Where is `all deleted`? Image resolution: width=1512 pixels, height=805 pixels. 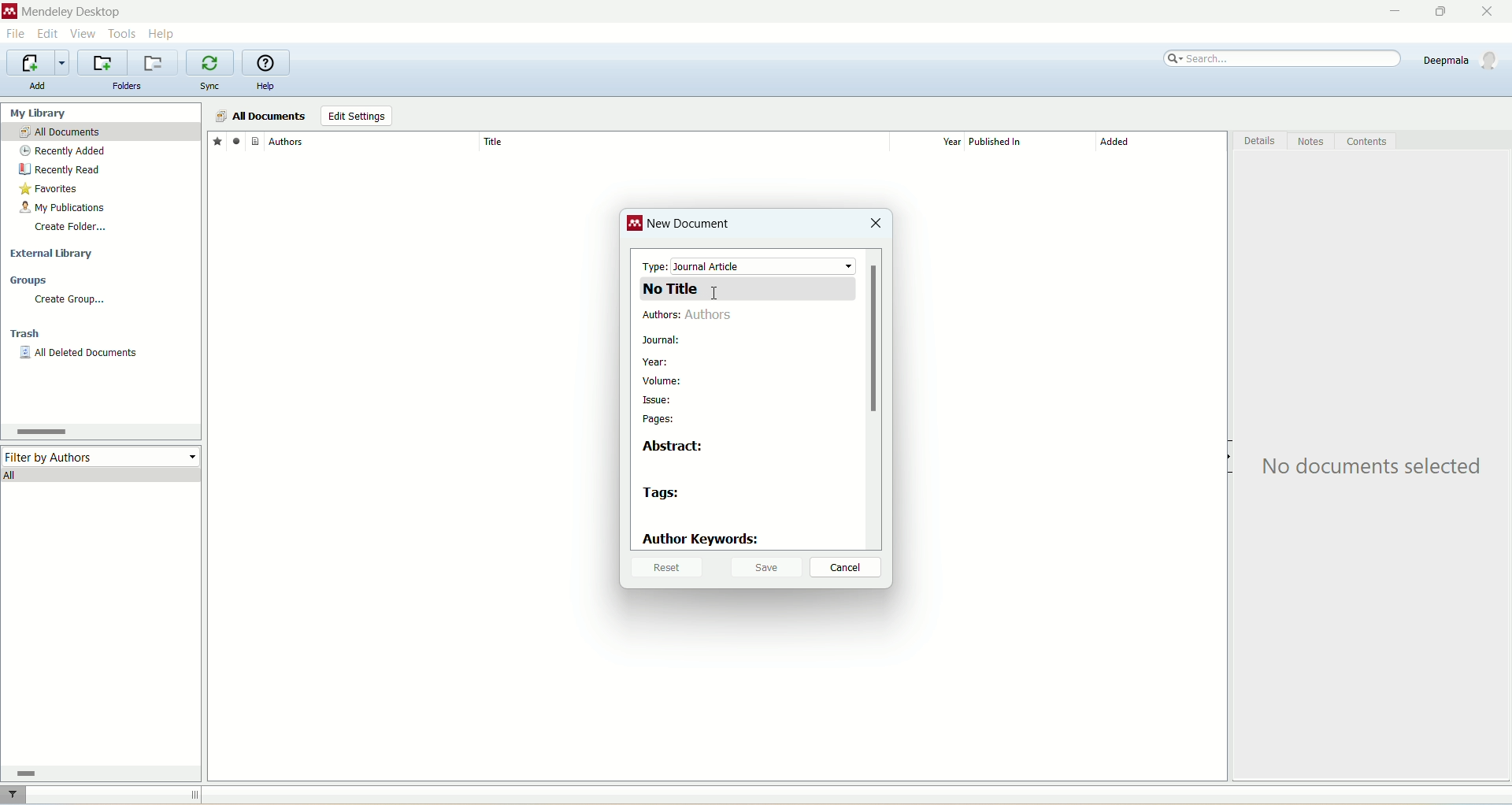 all deleted is located at coordinates (80, 354).